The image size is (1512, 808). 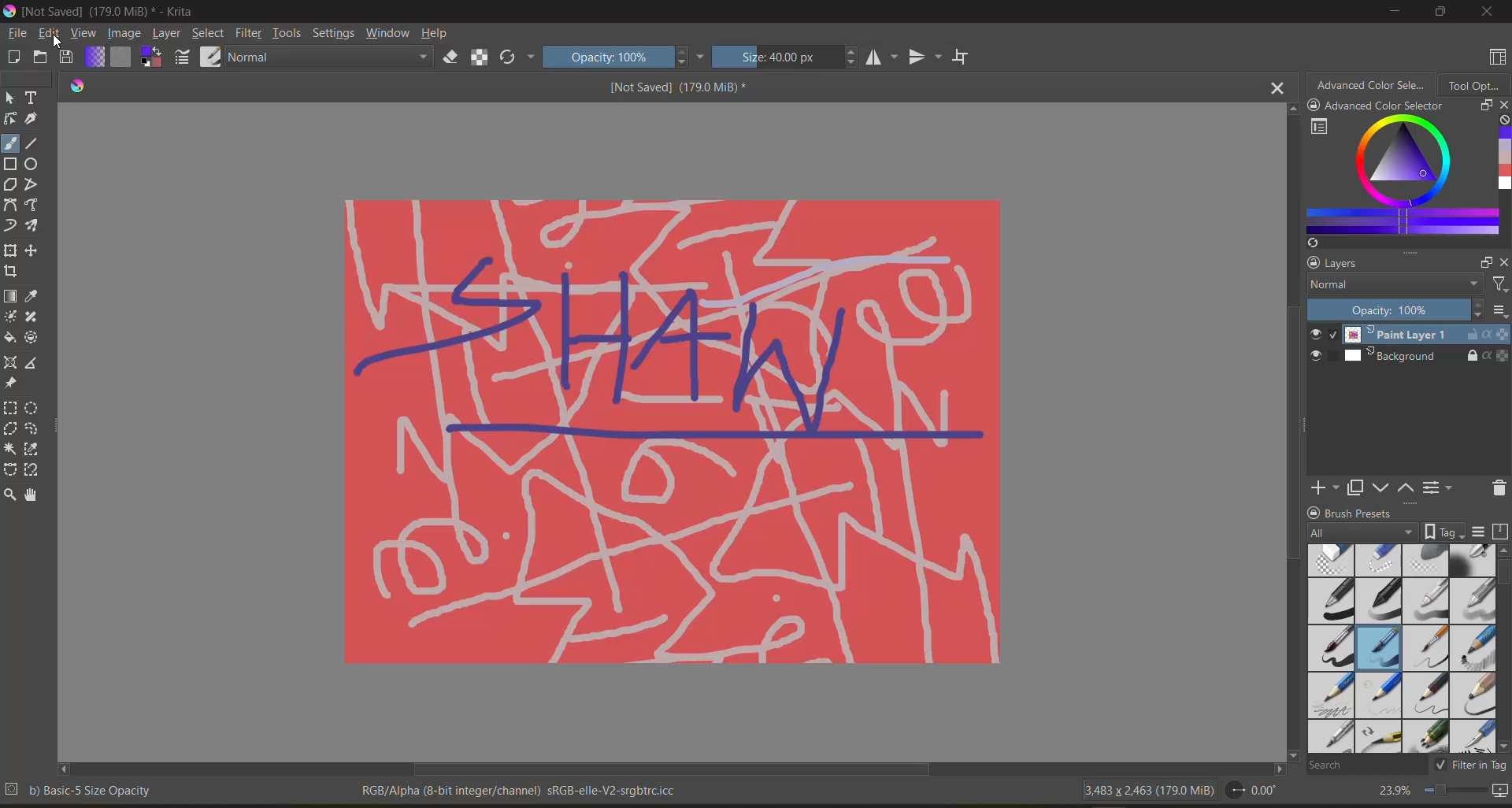 What do you see at coordinates (10, 183) in the screenshot?
I see `polygon tool` at bounding box center [10, 183].